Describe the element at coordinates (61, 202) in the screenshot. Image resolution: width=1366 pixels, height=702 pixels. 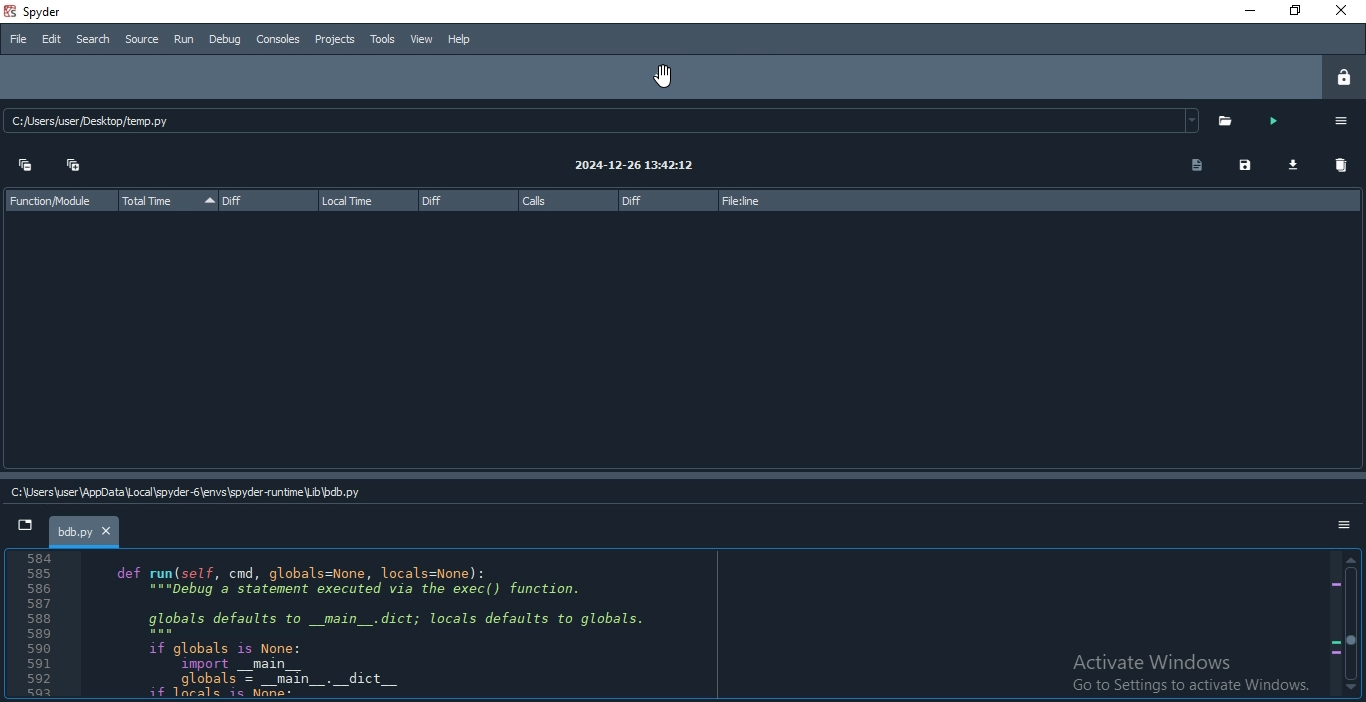
I see `Function Module` at that location.